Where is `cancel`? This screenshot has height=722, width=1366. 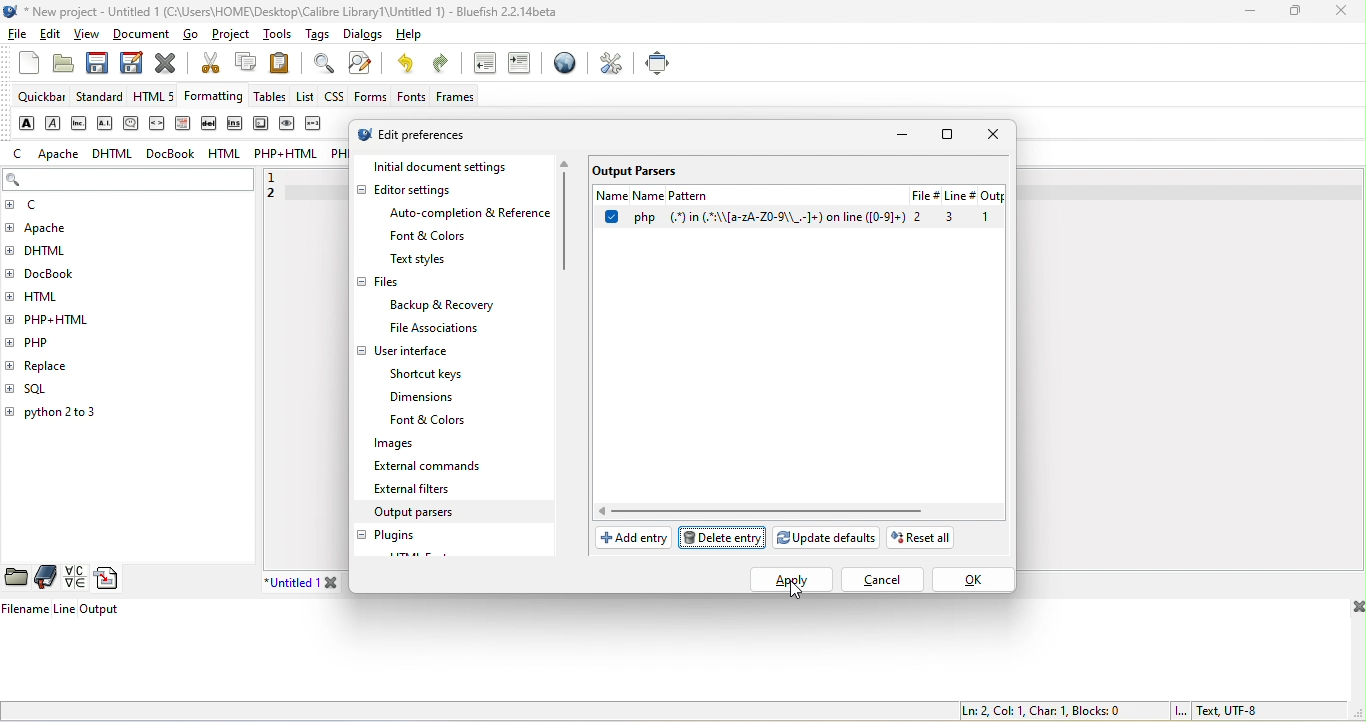 cancel is located at coordinates (889, 582).